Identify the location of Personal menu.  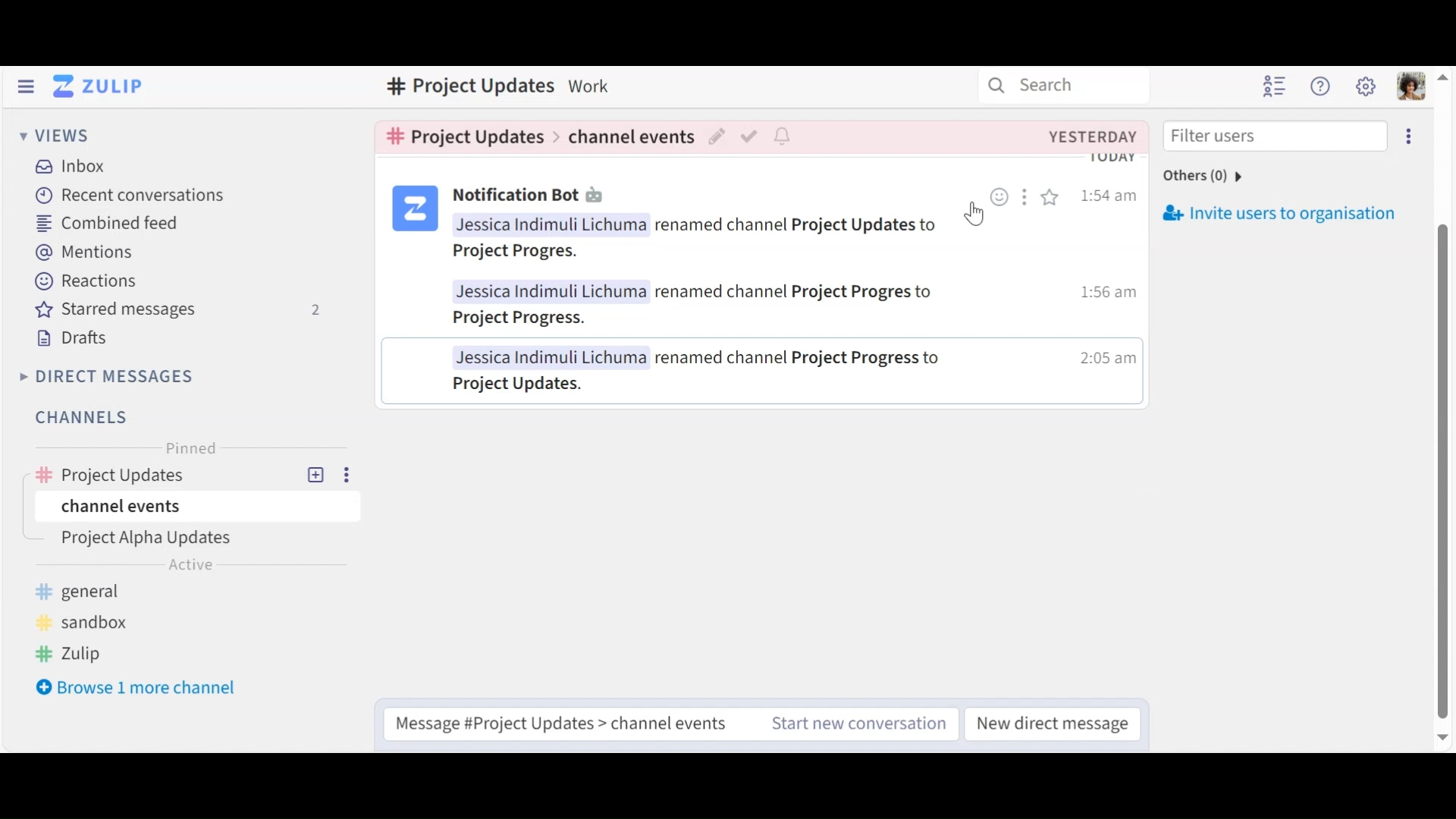
(1410, 88).